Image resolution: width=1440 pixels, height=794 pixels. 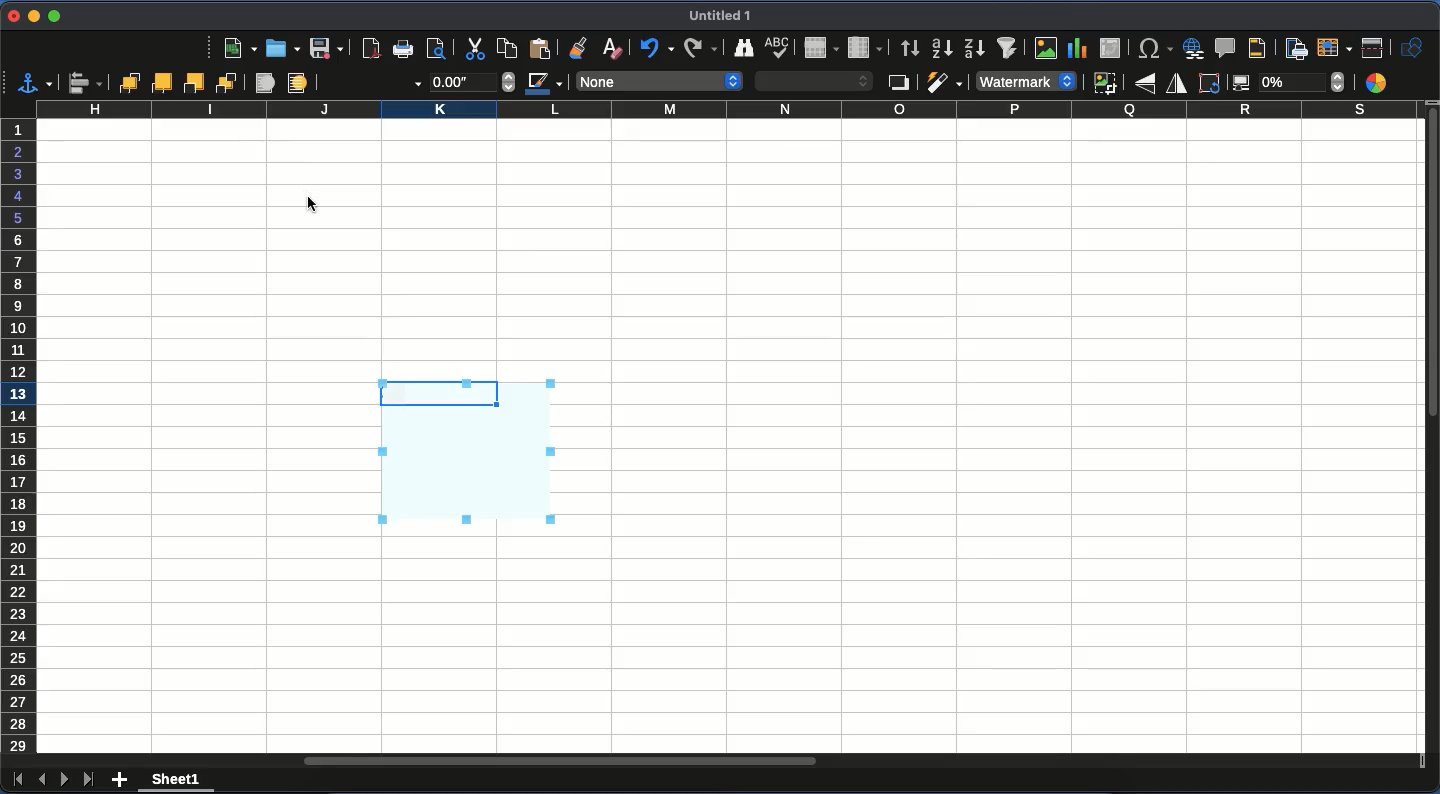 I want to click on select anchor for object, so click(x=35, y=82).